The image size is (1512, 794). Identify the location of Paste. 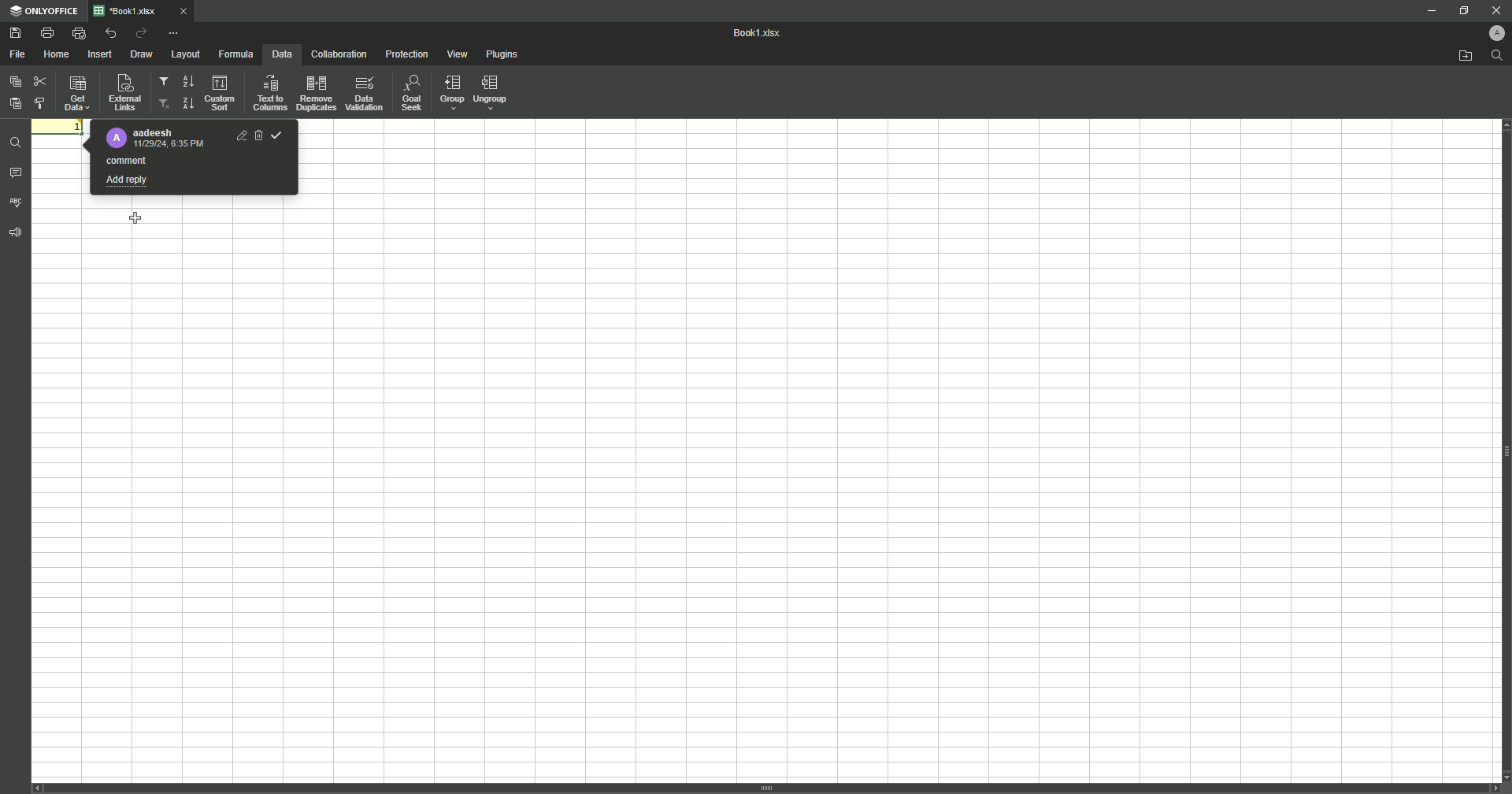
(15, 102).